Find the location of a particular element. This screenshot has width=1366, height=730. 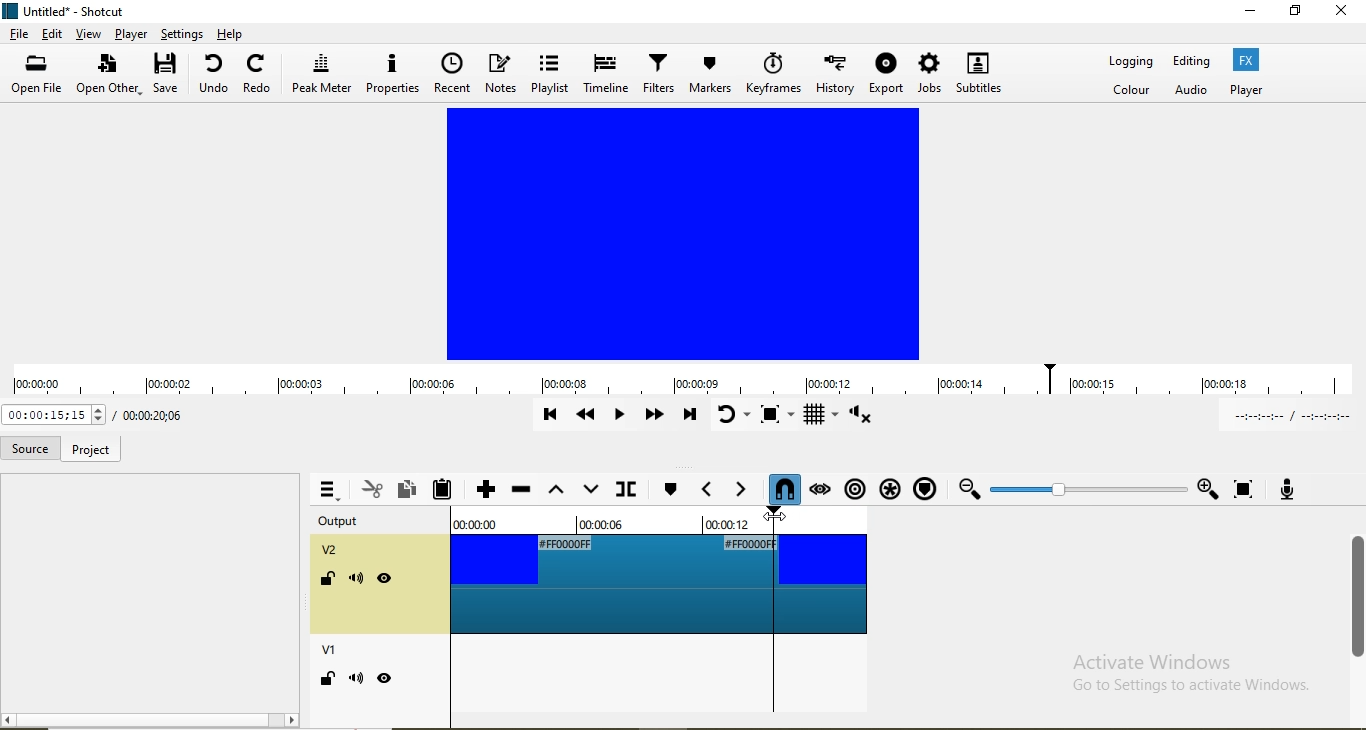

Scrub while dragging is located at coordinates (820, 486).